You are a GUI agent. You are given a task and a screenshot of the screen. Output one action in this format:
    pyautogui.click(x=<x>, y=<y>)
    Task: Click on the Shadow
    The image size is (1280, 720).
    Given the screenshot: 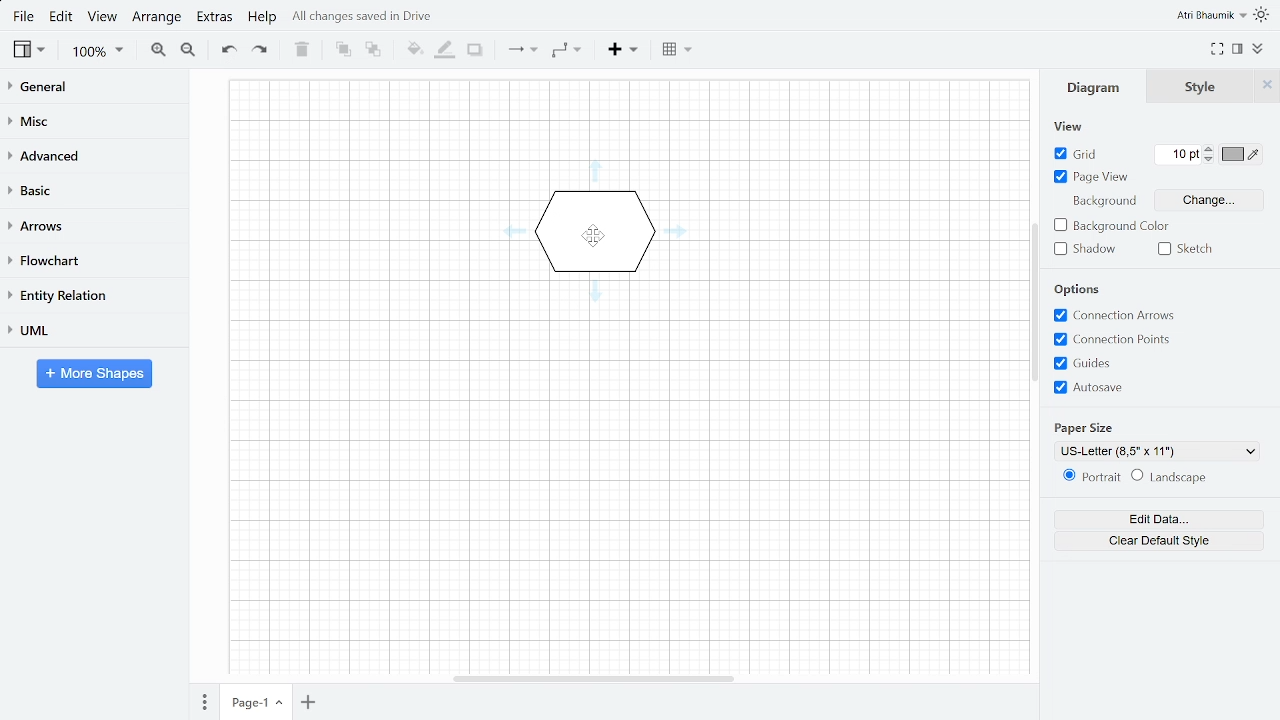 What is the action you would take?
    pyautogui.click(x=1089, y=250)
    